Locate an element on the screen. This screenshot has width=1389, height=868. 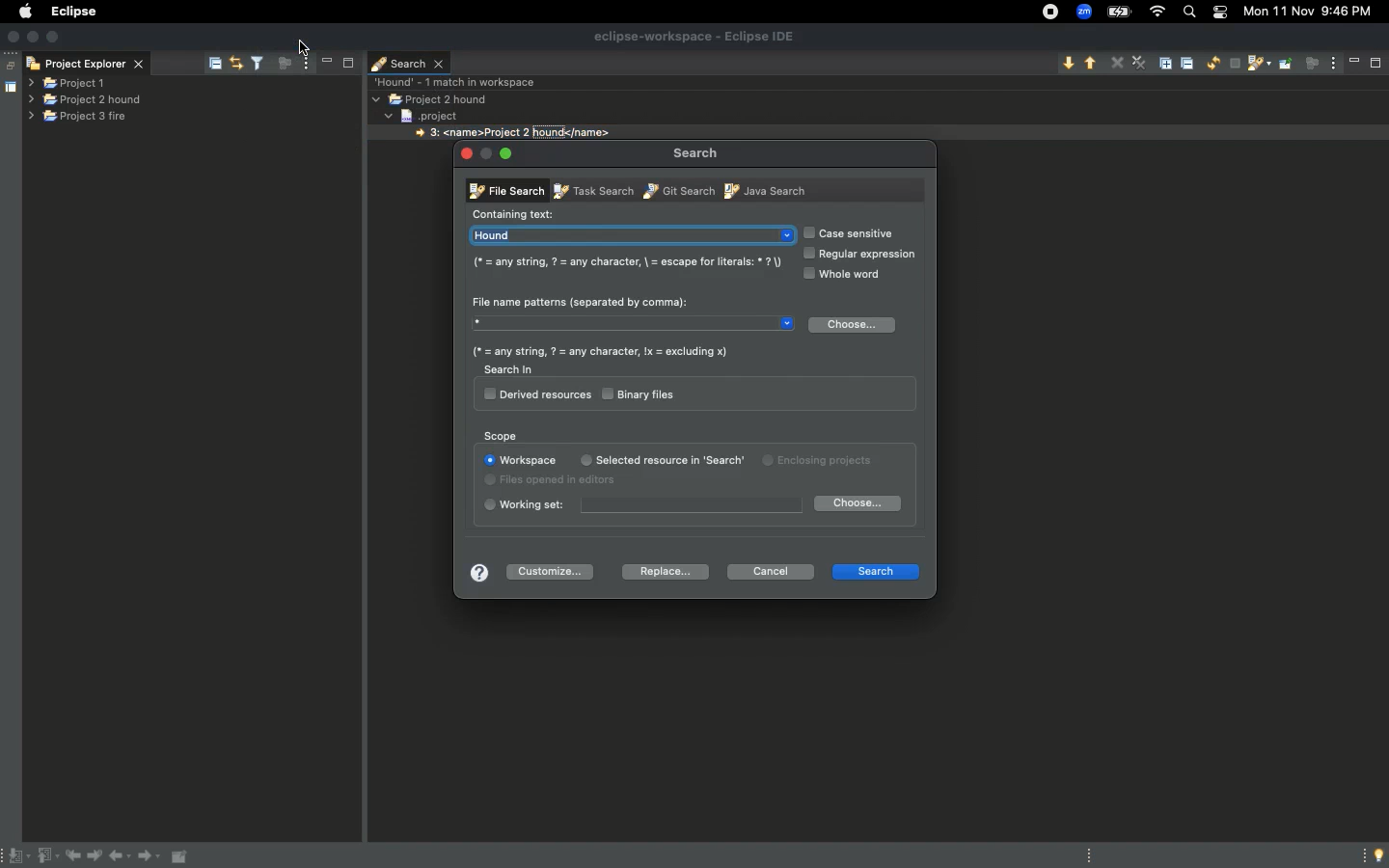
maximise is located at coordinates (347, 60).